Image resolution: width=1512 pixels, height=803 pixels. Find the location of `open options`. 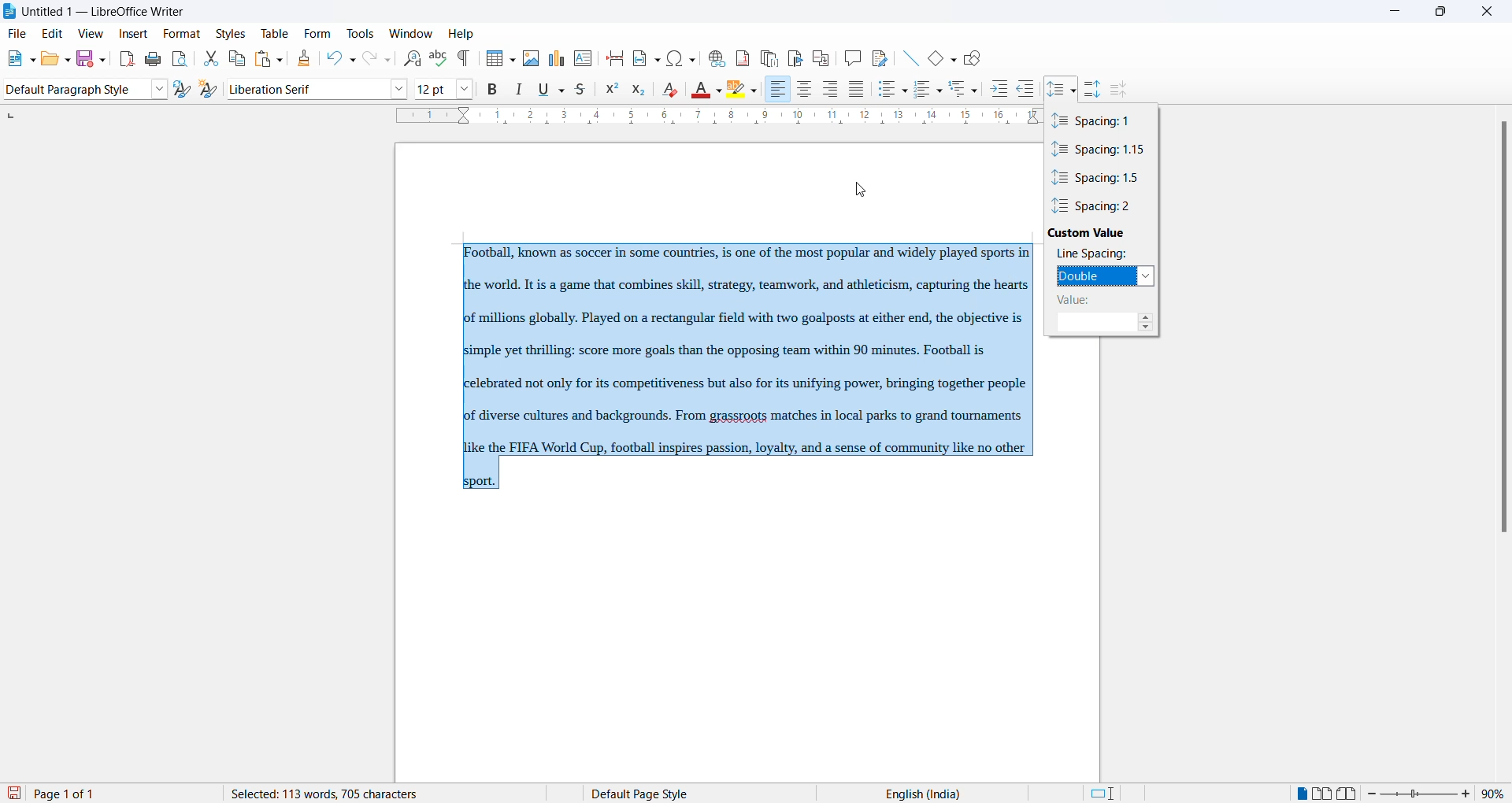

open options is located at coordinates (63, 58).